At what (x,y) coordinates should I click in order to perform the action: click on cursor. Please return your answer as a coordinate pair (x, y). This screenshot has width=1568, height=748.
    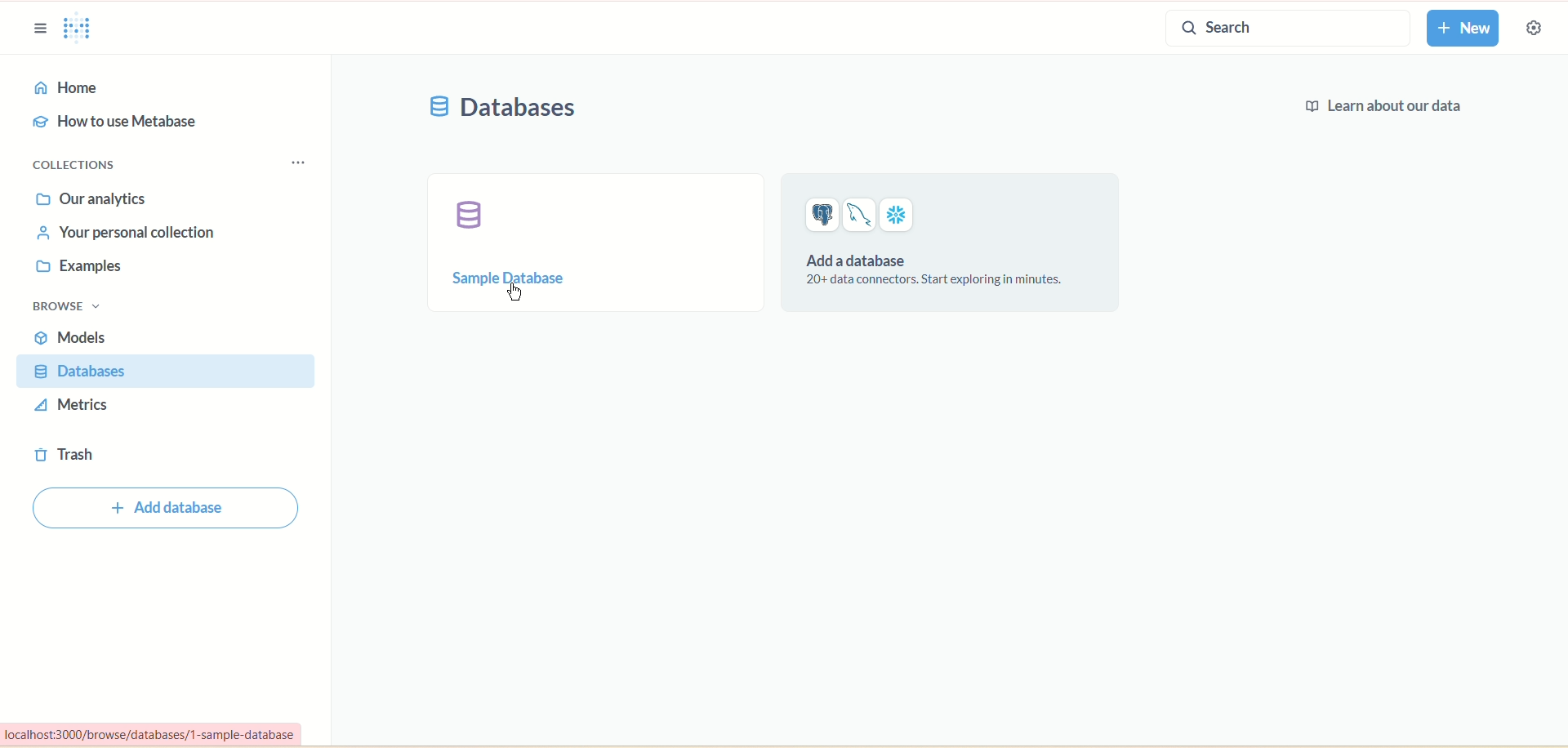
    Looking at the image, I should click on (514, 295).